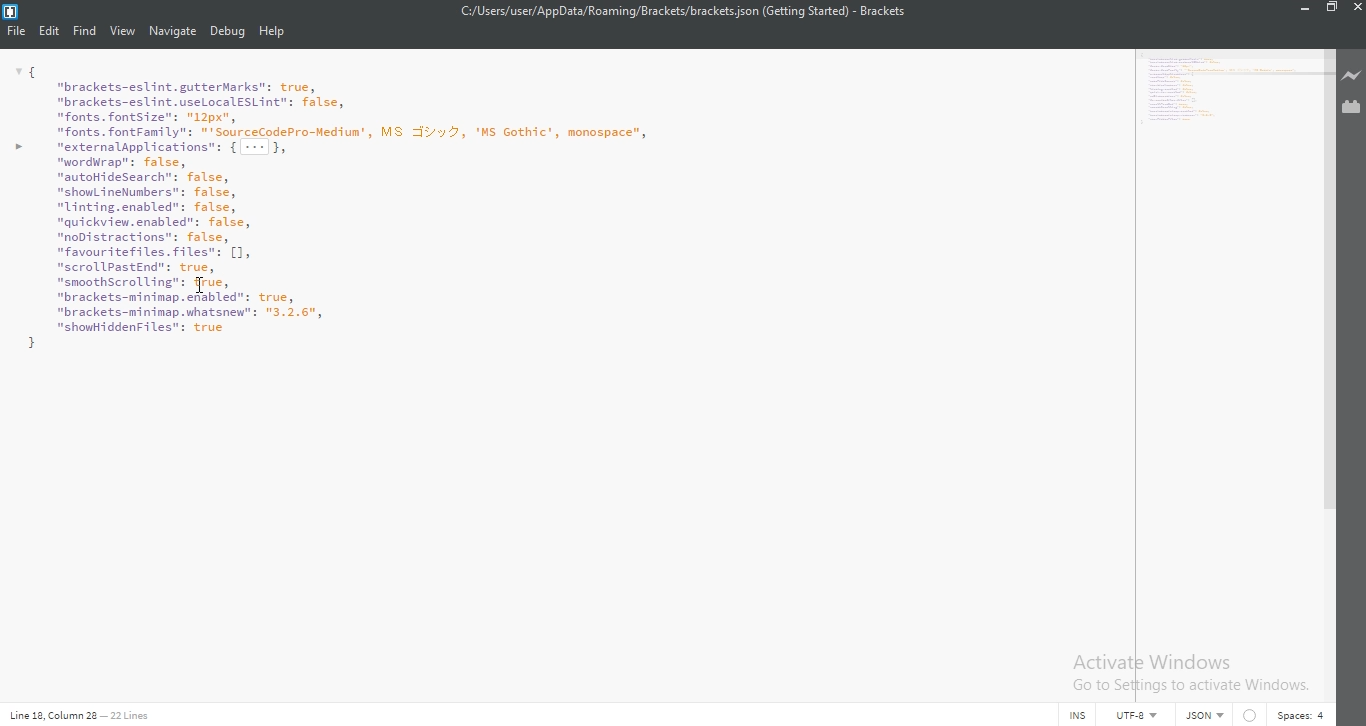 This screenshot has width=1366, height=726. Describe the element at coordinates (1301, 715) in the screenshot. I see `space:4` at that location.